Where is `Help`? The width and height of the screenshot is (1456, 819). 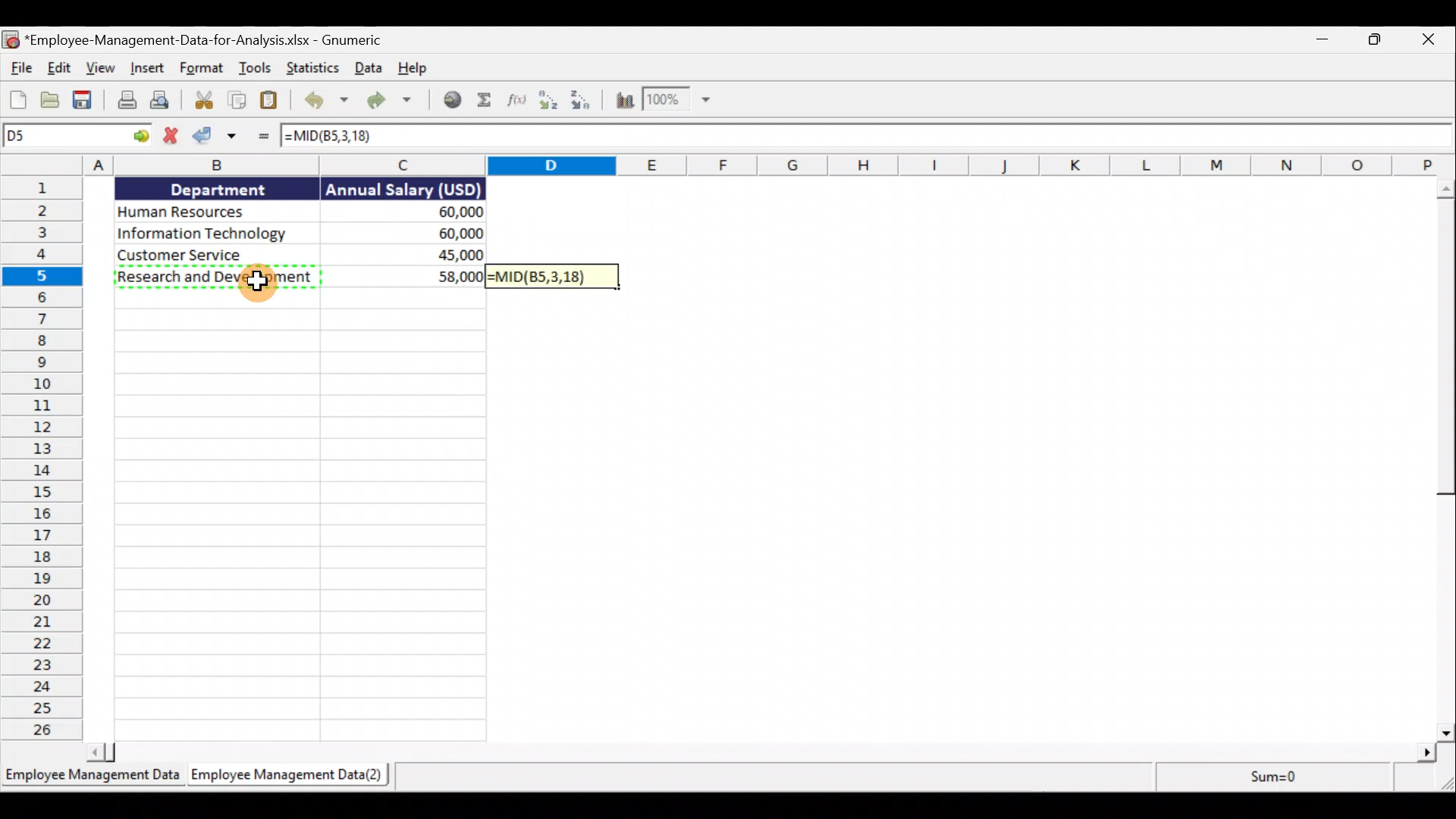
Help is located at coordinates (412, 69).